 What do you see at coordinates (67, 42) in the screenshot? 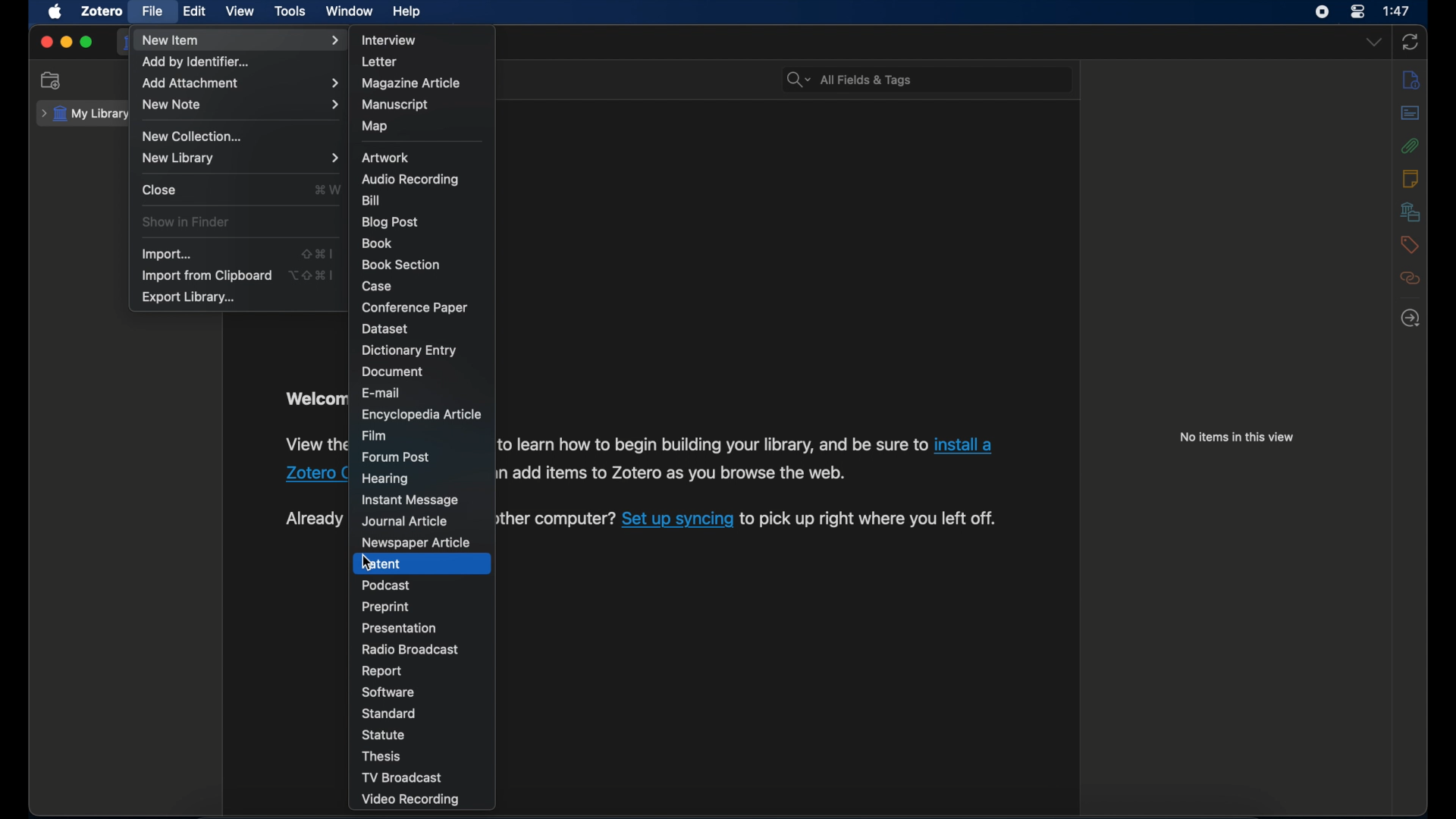
I see `minimize` at bounding box center [67, 42].